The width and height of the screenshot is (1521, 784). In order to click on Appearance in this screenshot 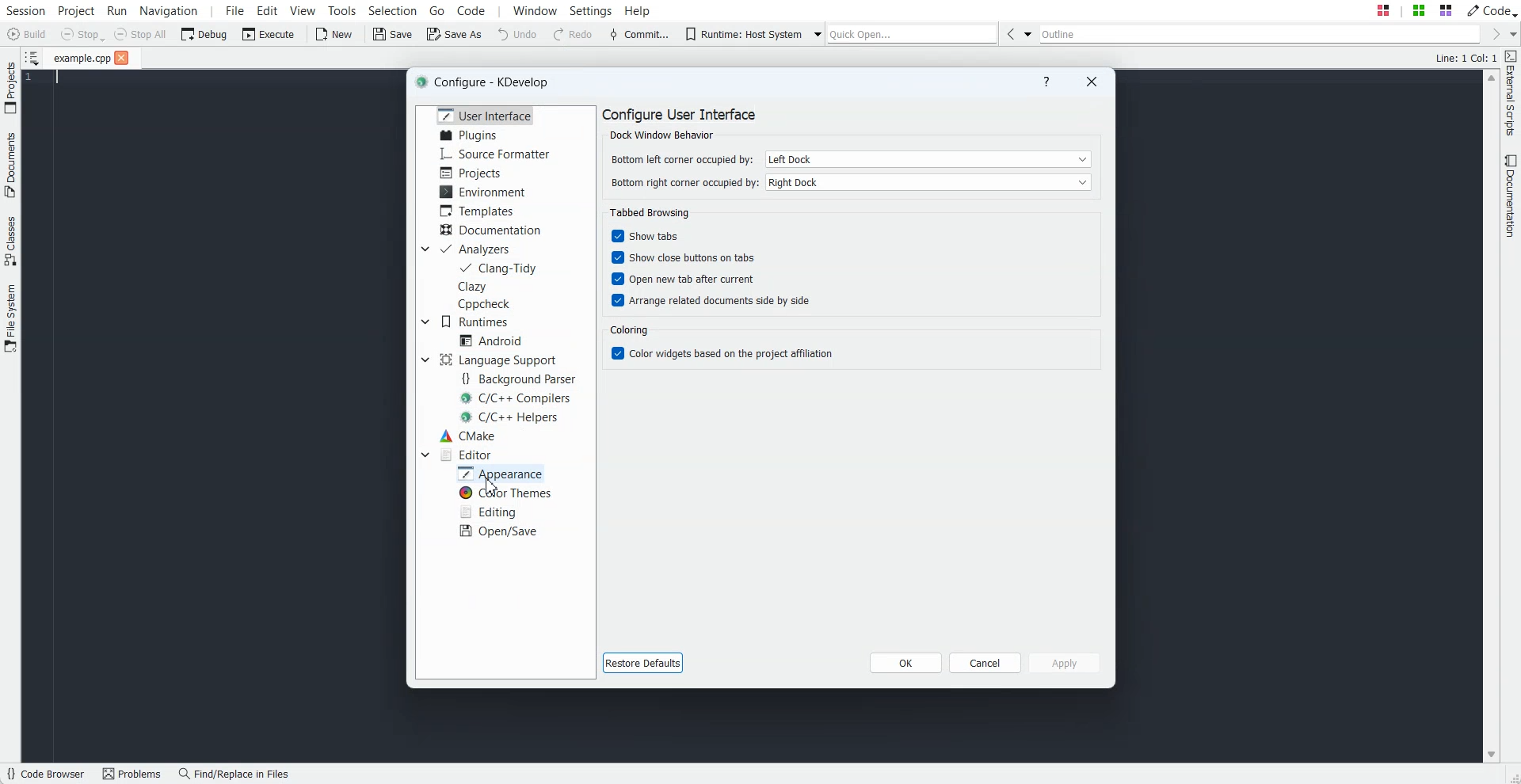, I will do `click(501, 473)`.